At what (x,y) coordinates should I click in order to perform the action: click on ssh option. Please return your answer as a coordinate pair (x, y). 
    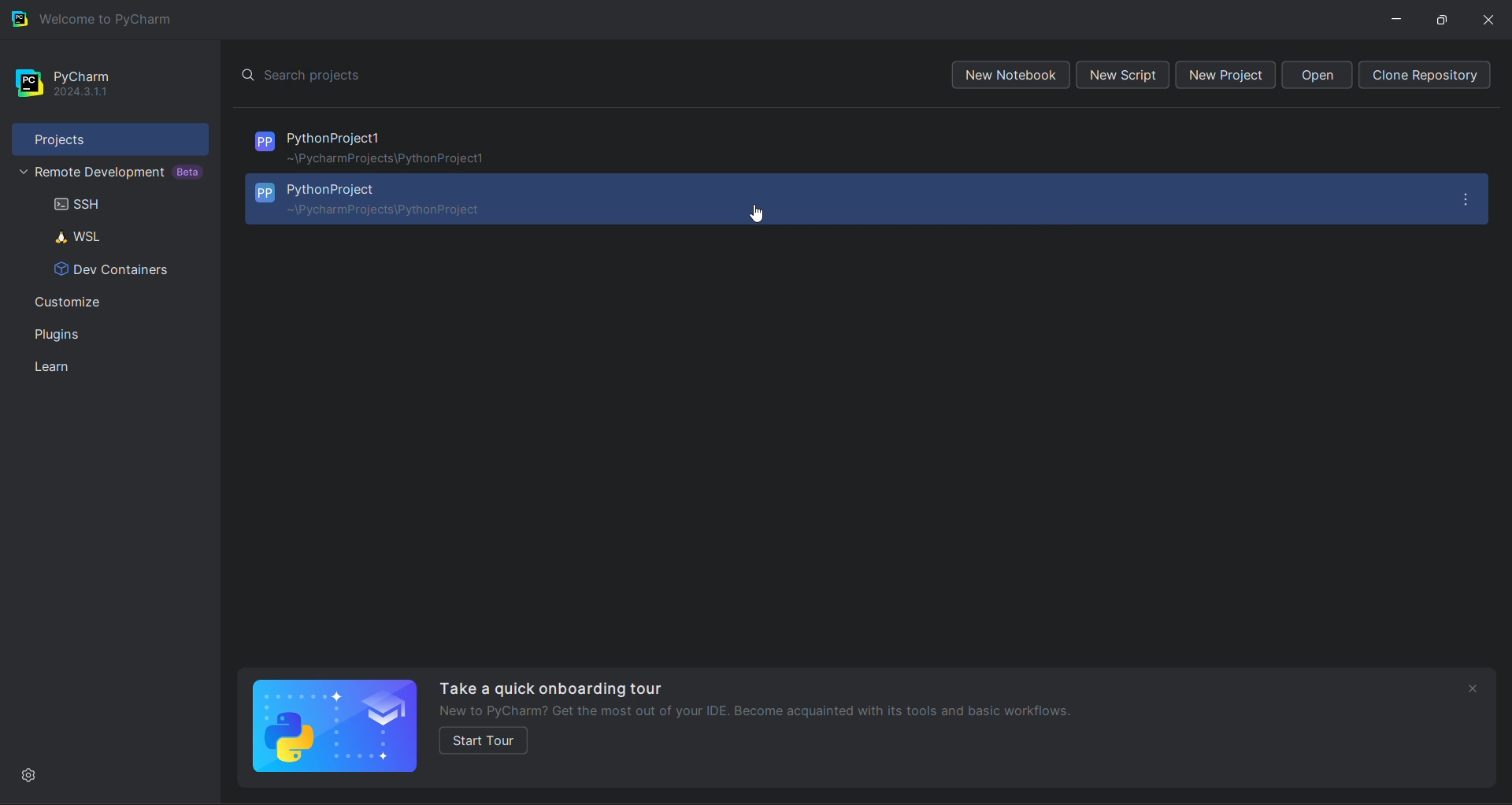
    Looking at the image, I should click on (107, 206).